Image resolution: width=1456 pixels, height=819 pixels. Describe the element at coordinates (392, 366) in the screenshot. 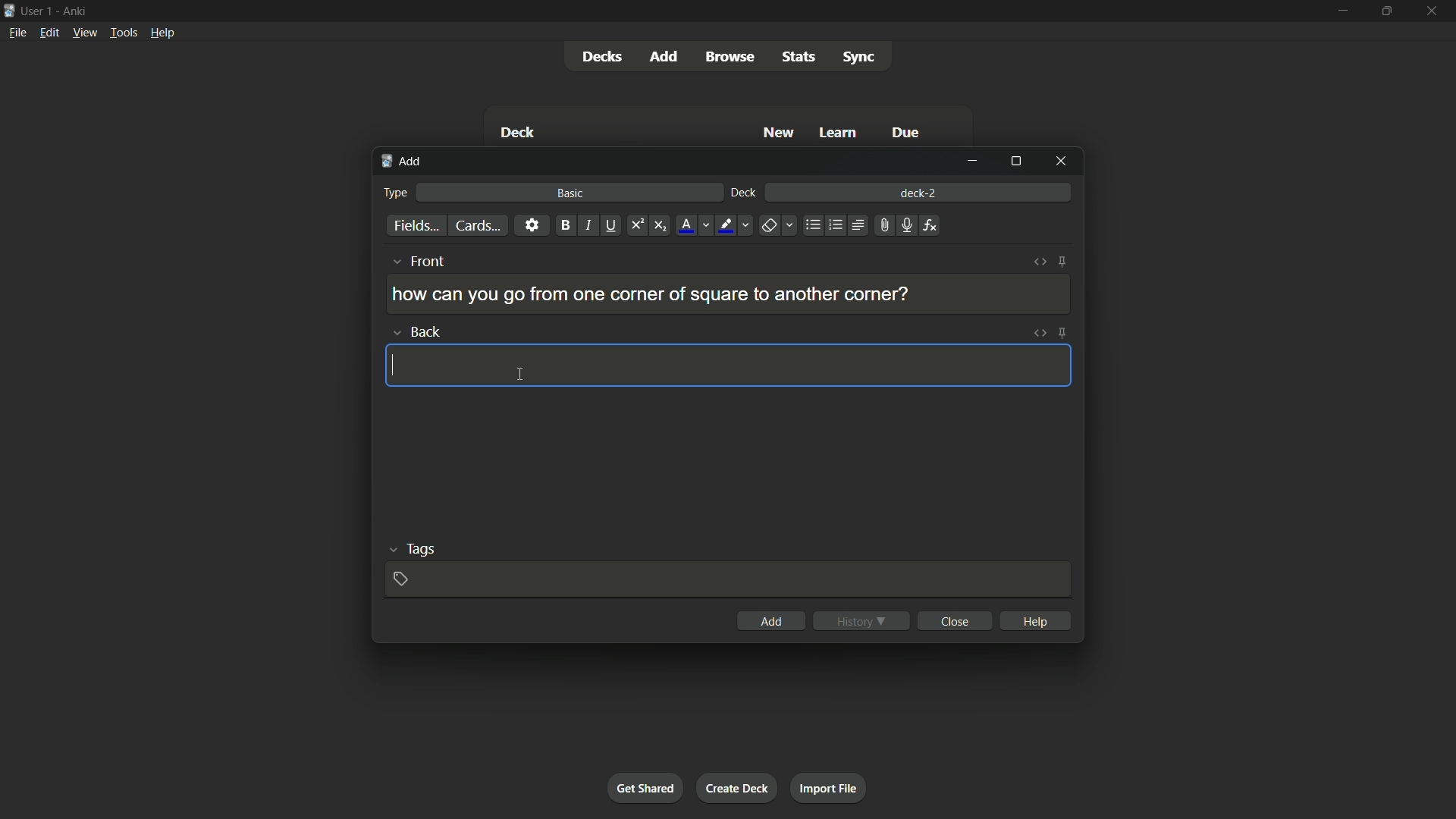

I see `cursor` at that location.